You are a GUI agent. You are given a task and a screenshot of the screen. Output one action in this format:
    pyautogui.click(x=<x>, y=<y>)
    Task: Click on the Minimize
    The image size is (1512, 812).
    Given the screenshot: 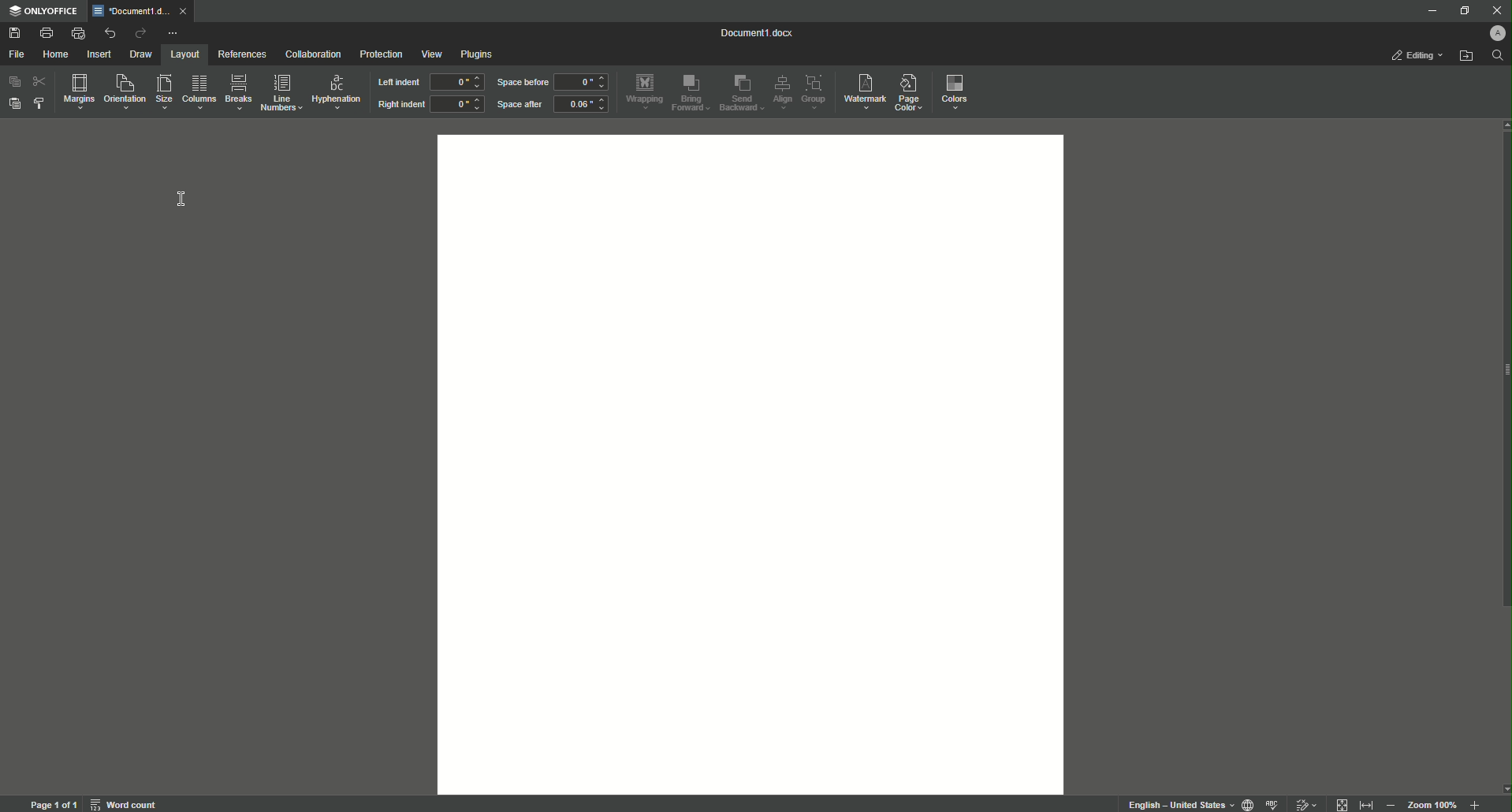 What is the action you would take?
    pyautogui.click(x=1429, y=12)
    